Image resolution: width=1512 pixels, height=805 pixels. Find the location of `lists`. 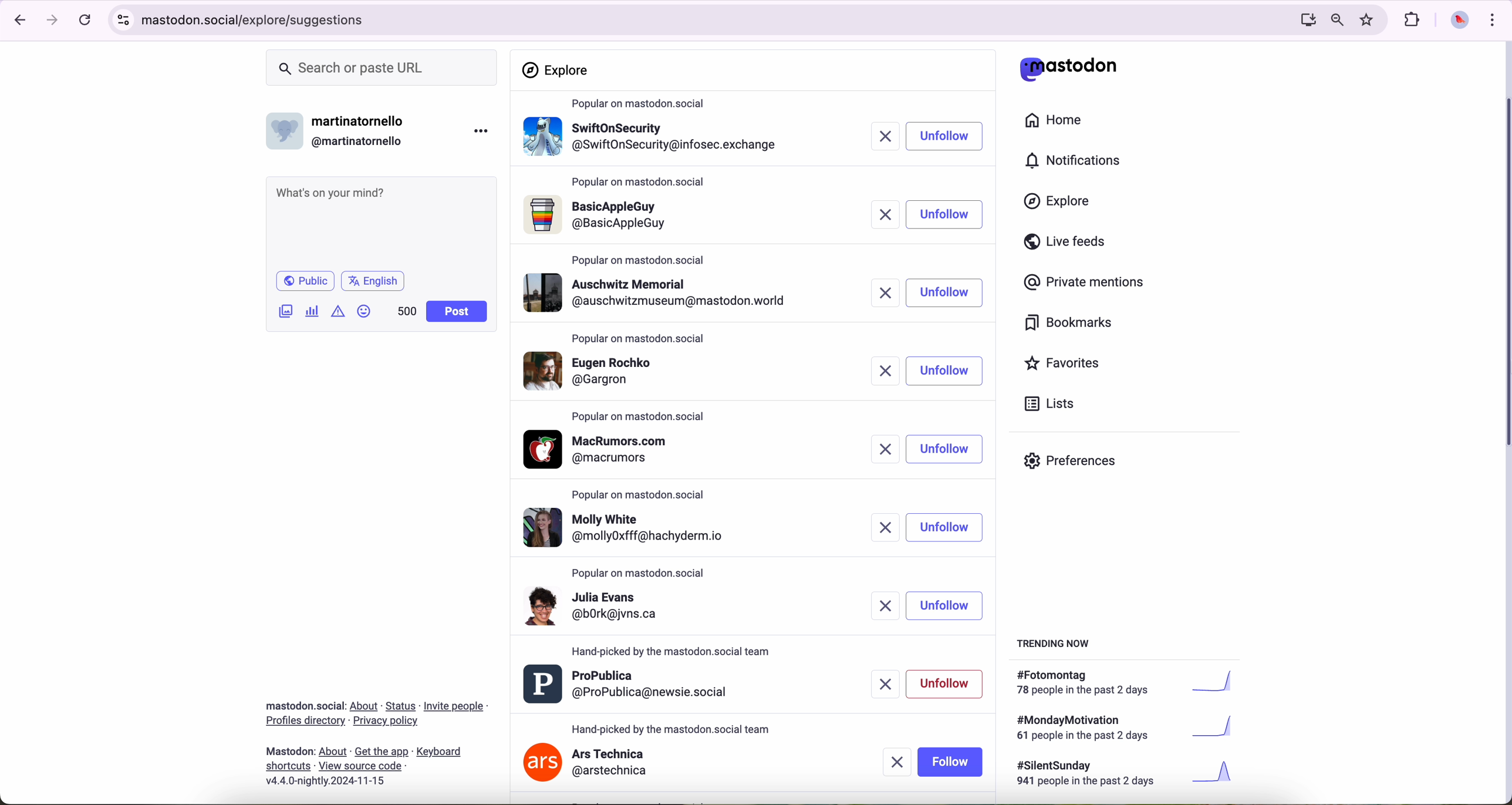

lists is located at coordinates (1045, 403).